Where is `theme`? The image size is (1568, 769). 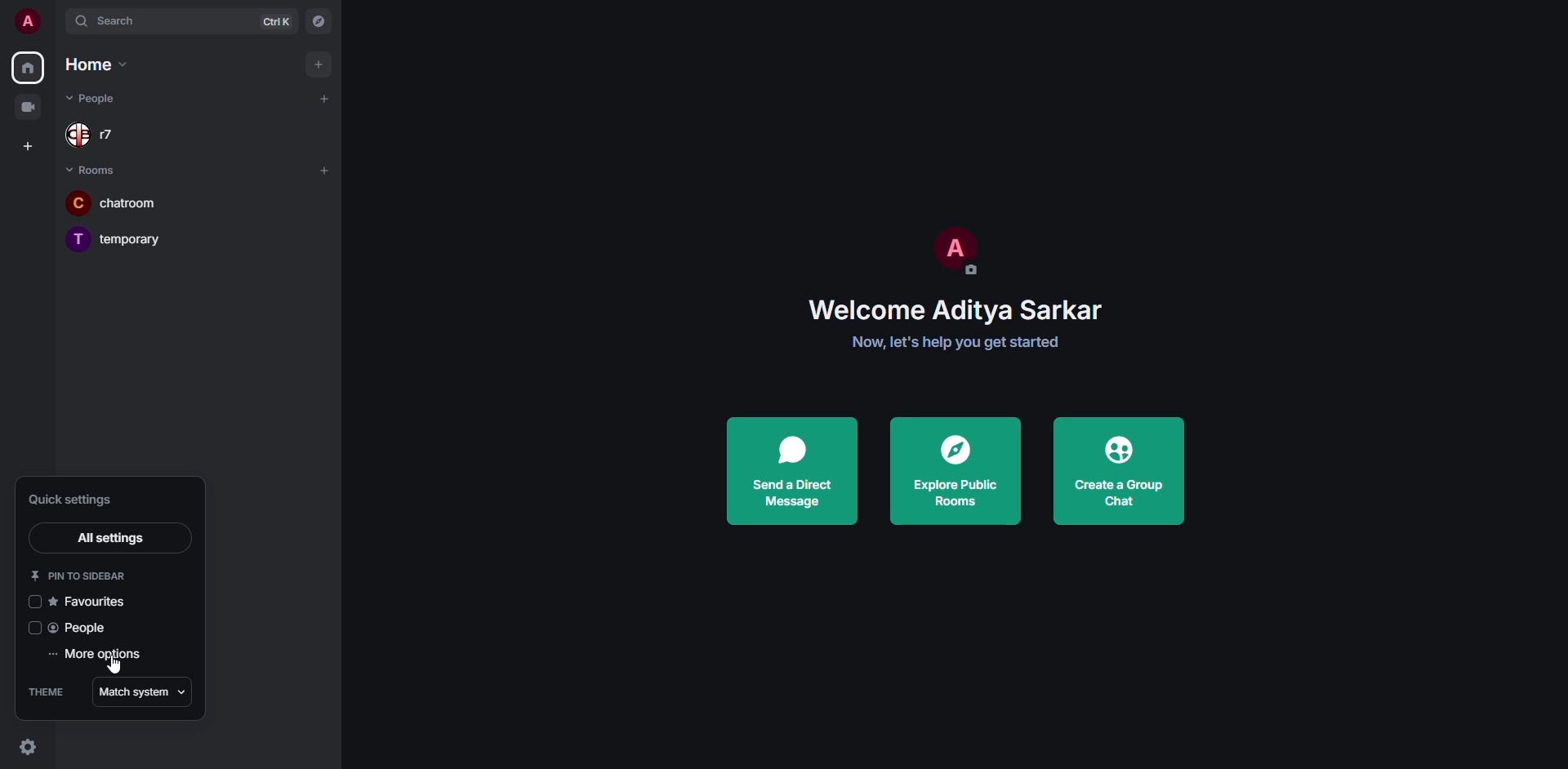
theme is located at coordinates (50, 691).